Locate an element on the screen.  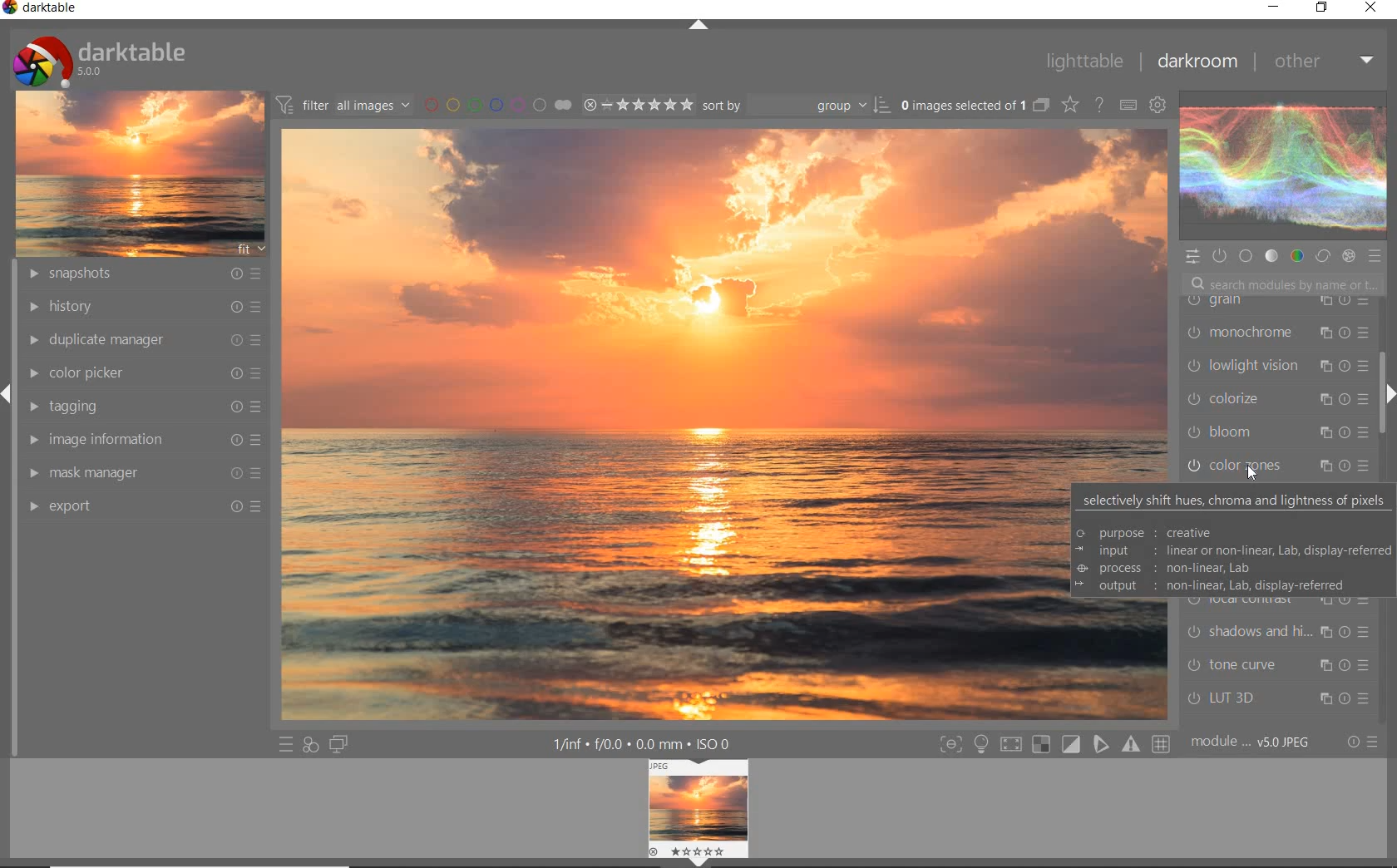
SCROLLBAR is located at coordinates (1385, 338).